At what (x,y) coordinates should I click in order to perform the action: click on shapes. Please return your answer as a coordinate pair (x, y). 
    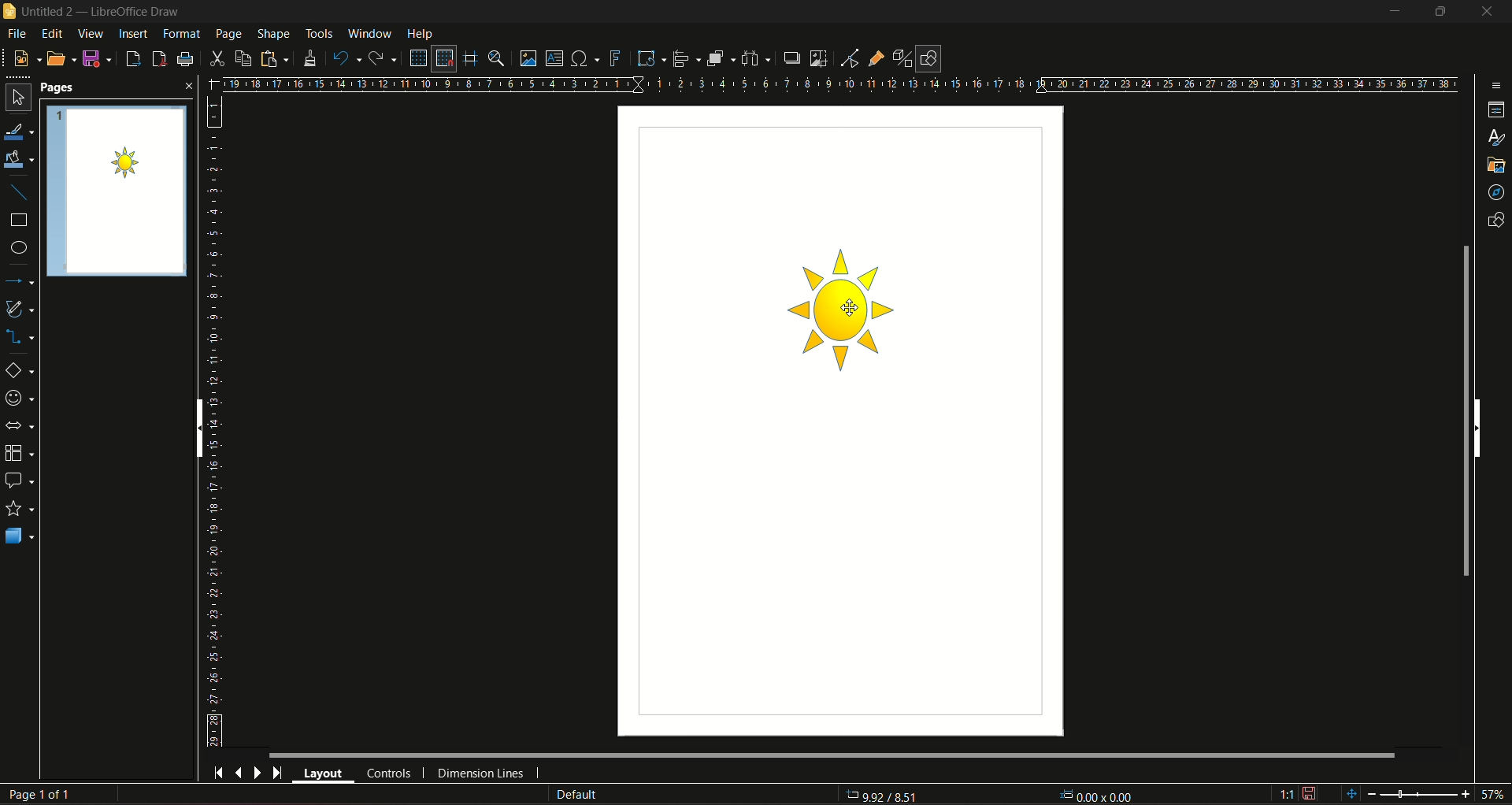
    Looking at the image, I should click on (1497, 221).